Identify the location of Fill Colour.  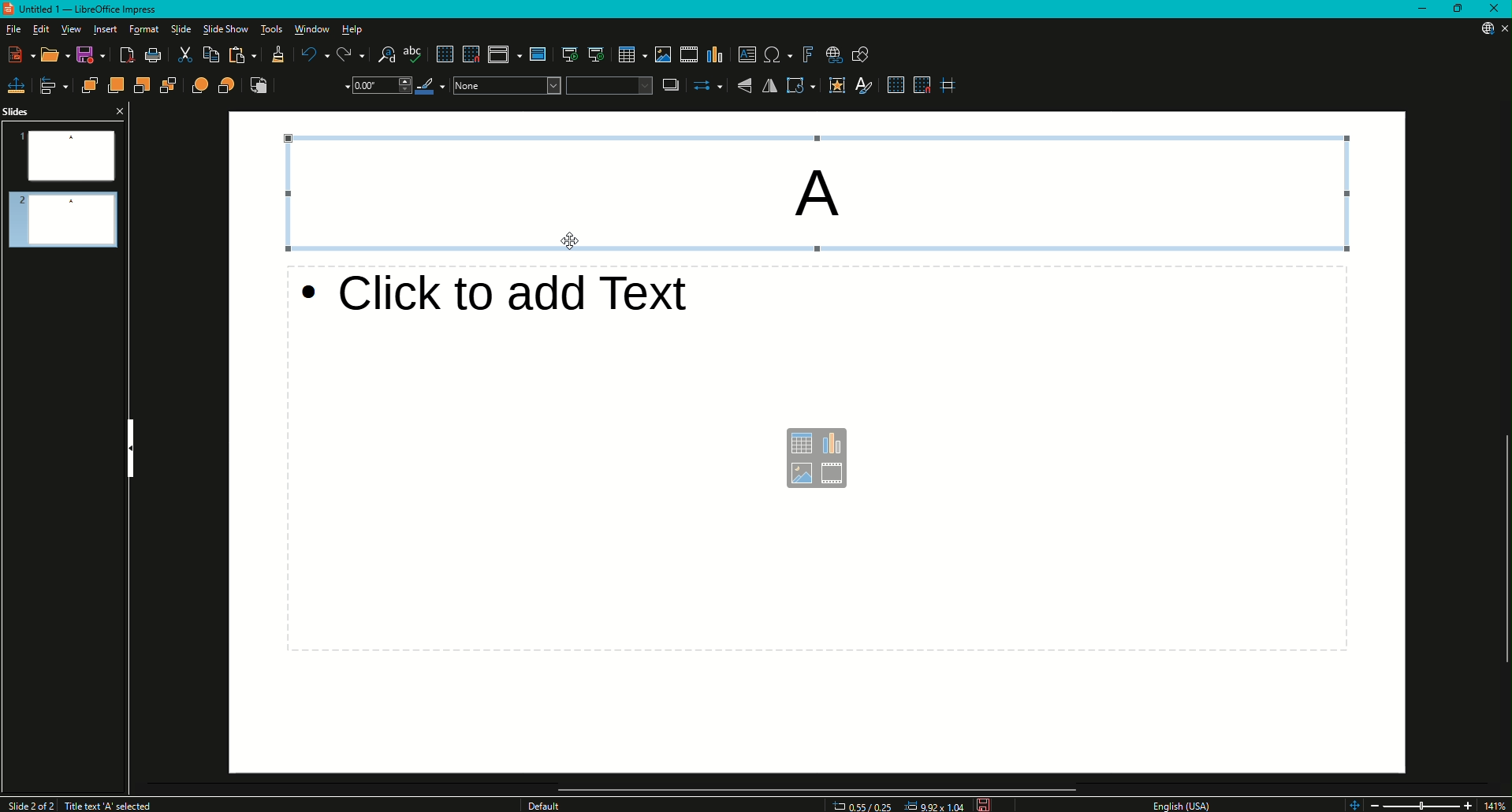
(607, 85).